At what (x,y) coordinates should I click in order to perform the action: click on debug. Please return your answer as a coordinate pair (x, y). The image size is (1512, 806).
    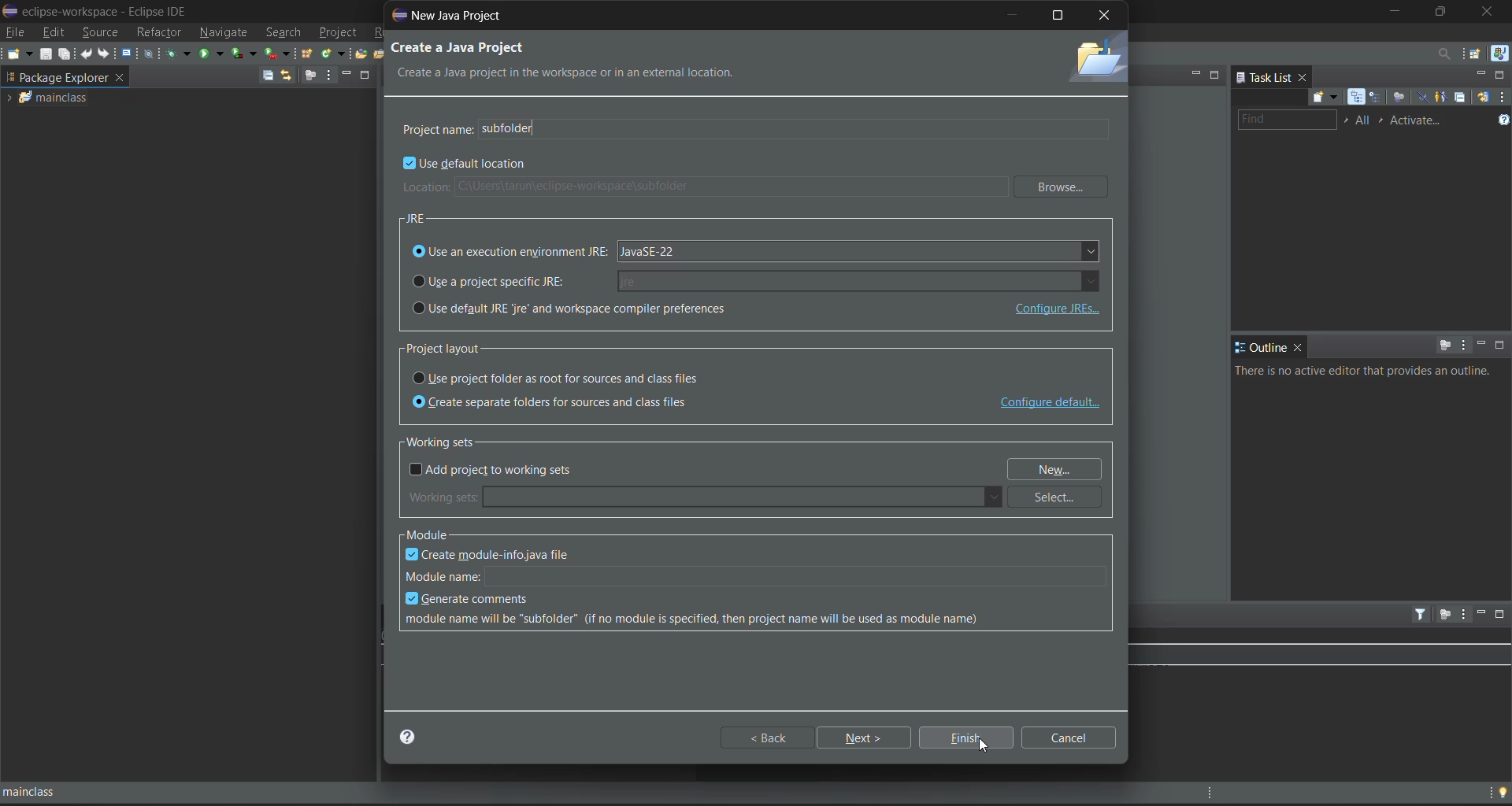
    Looking at the image, I should click on (179, 53).